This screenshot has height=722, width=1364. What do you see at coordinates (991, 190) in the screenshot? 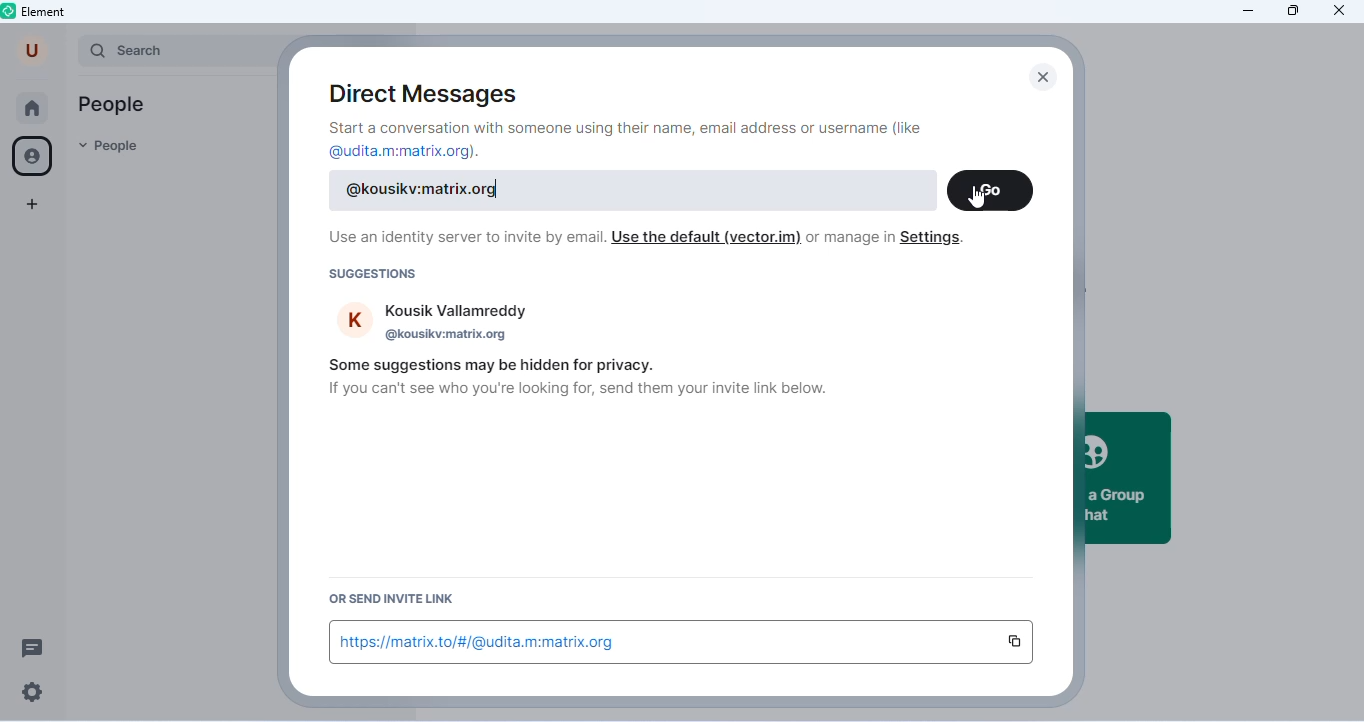
I see `go` at bounding box center [991, 190].